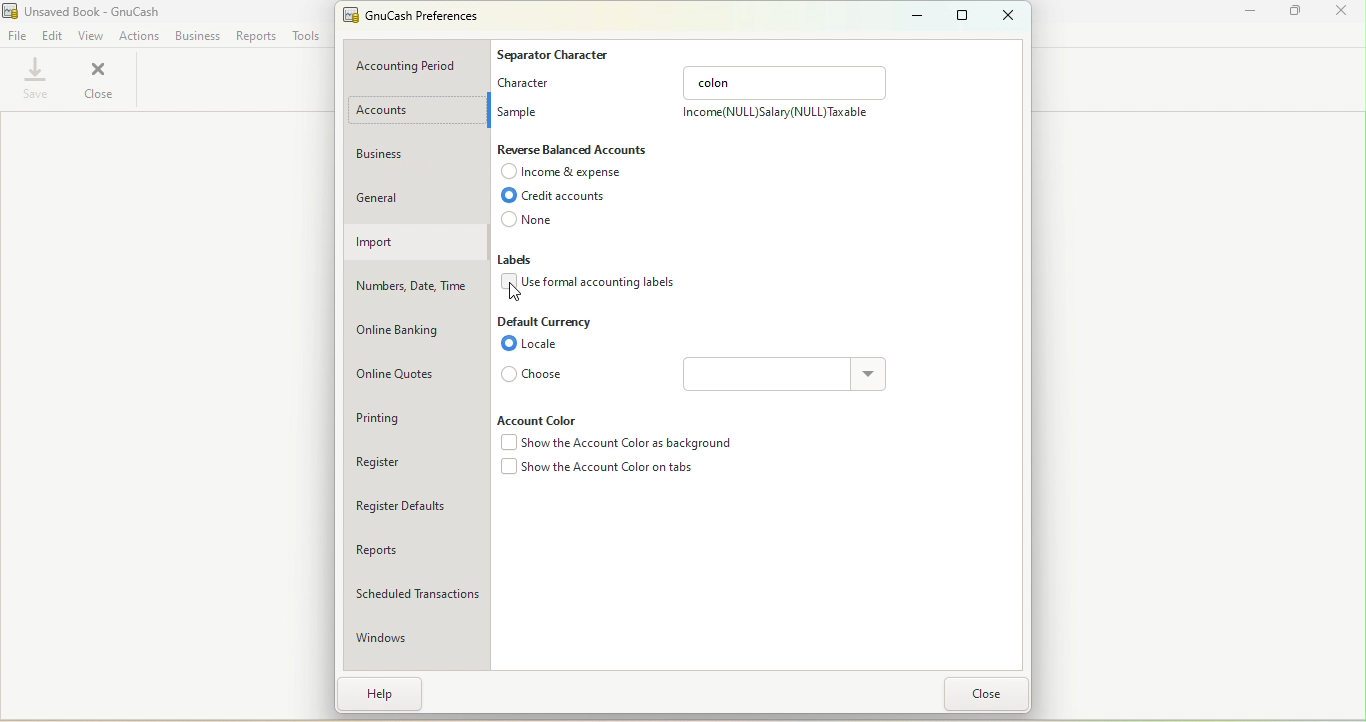 This screenshot has height=722, width=1366. I want to click on Register, so click(415, 466).